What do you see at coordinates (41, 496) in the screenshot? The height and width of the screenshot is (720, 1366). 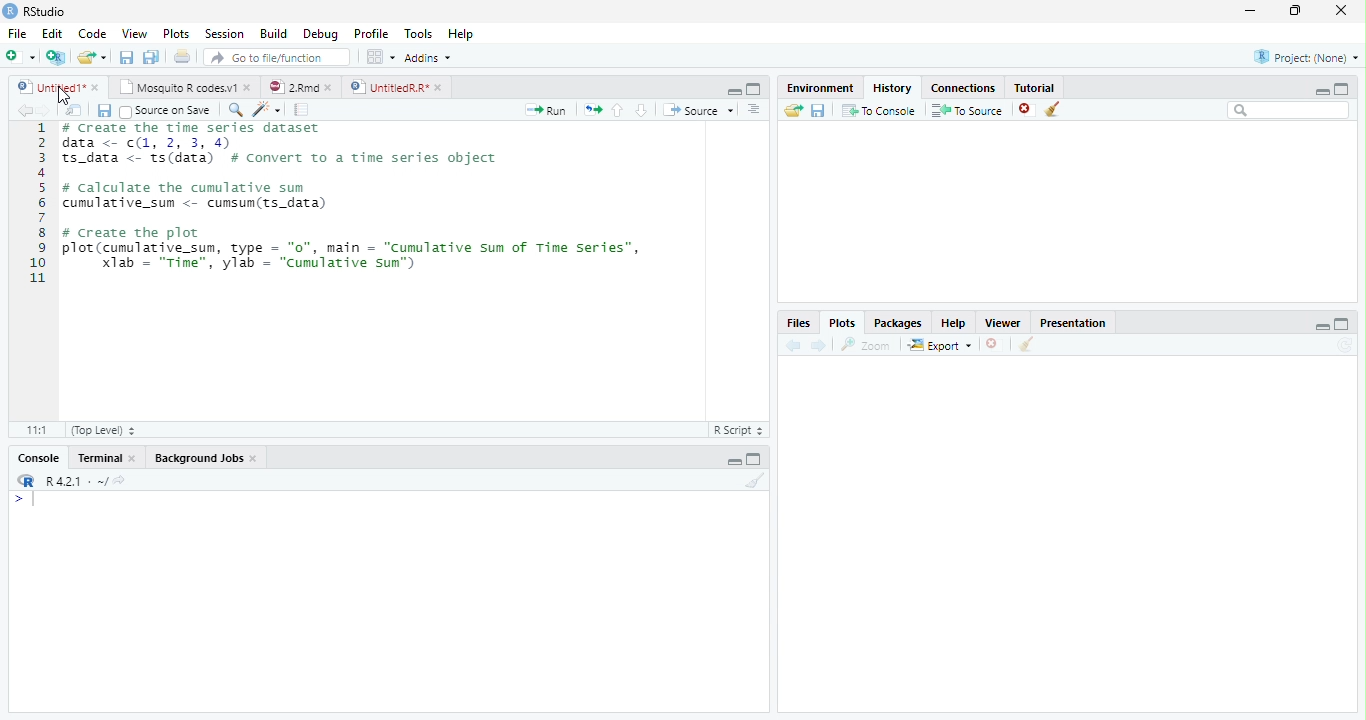 I see `Input Cursor` at bounding box center [41, 496].